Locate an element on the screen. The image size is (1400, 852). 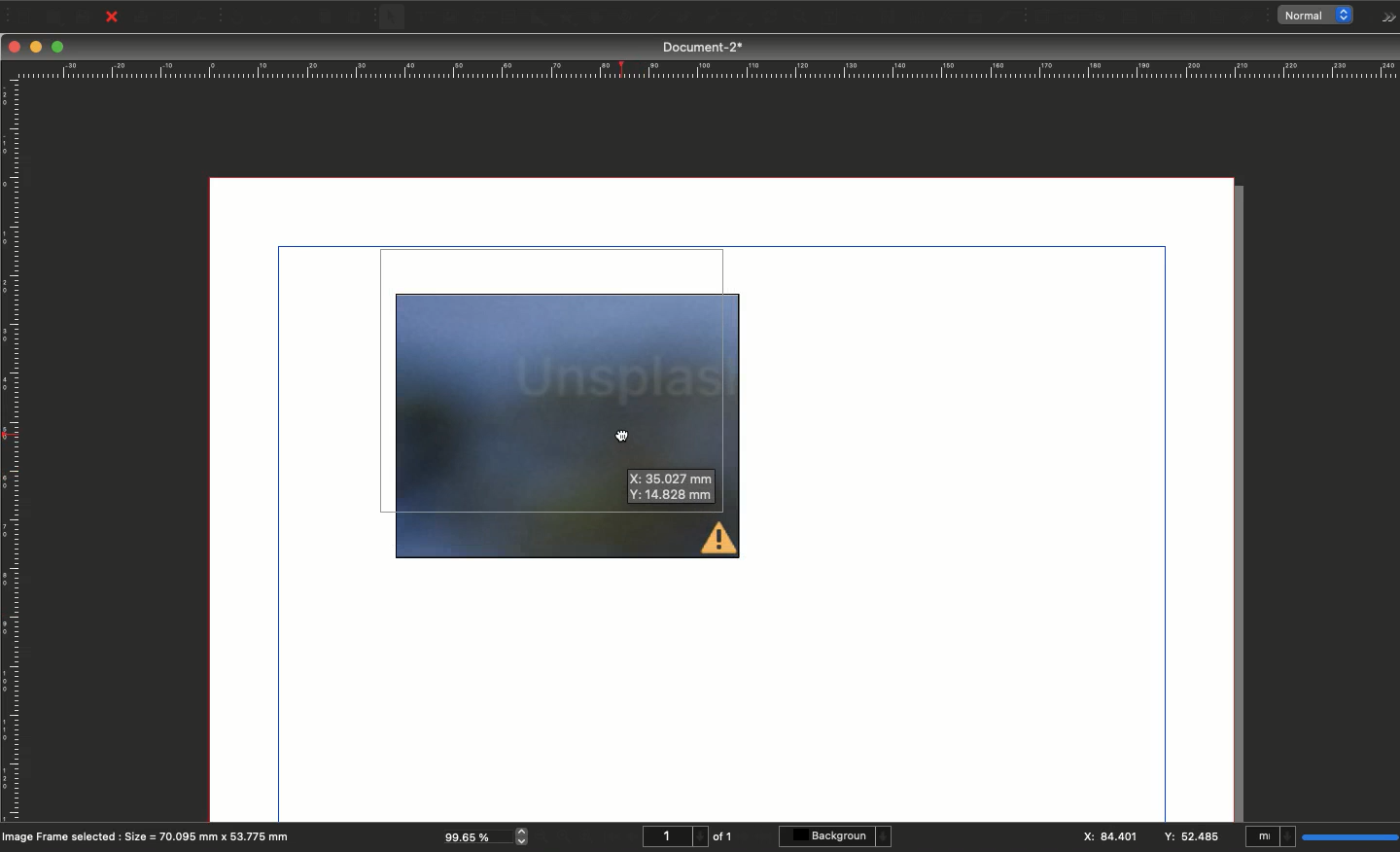
normal is located at coordinates (1320, 16).